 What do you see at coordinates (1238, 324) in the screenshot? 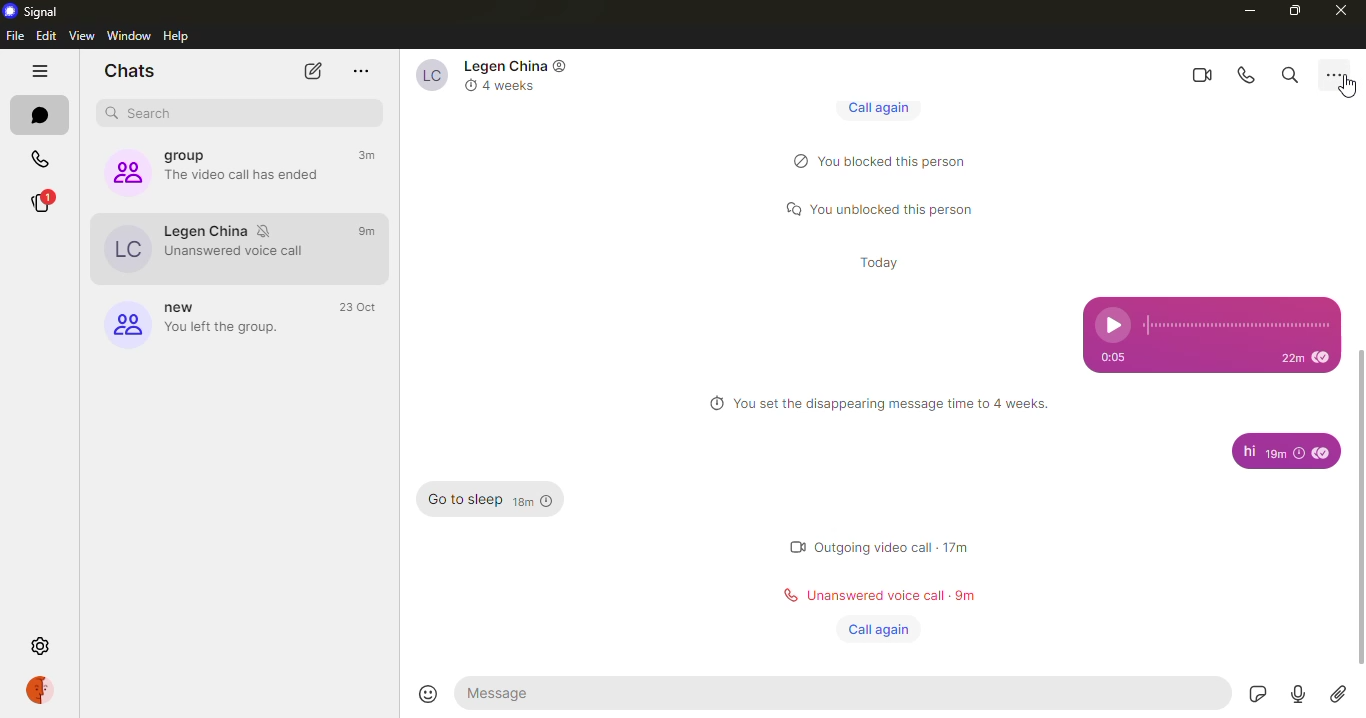
I see `track` at bounding box center [1238, 324].